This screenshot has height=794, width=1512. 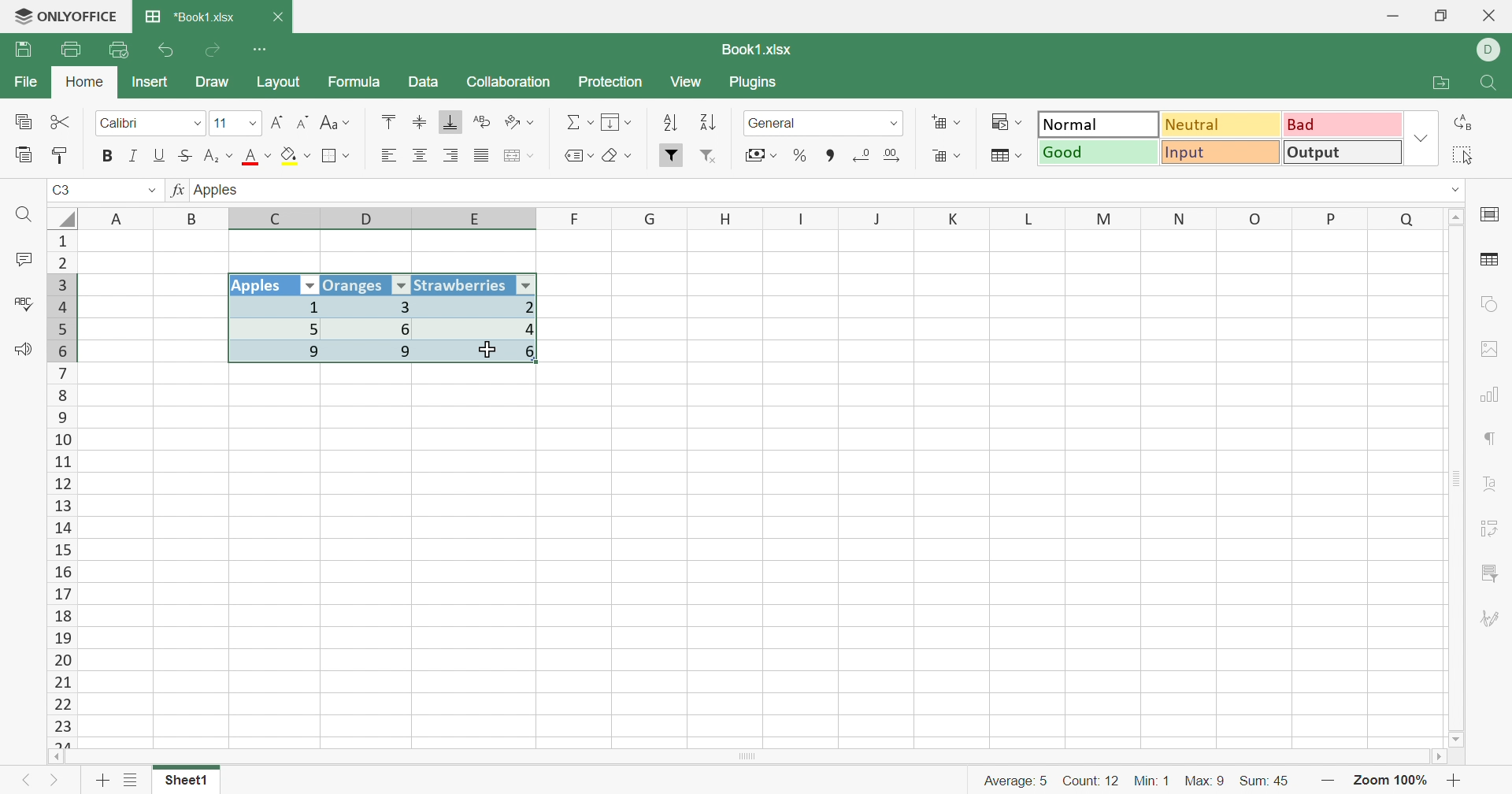 What do you see at coordinates (802, 219) in the screenshot?
I see `I` at bounding box center [802, 219].